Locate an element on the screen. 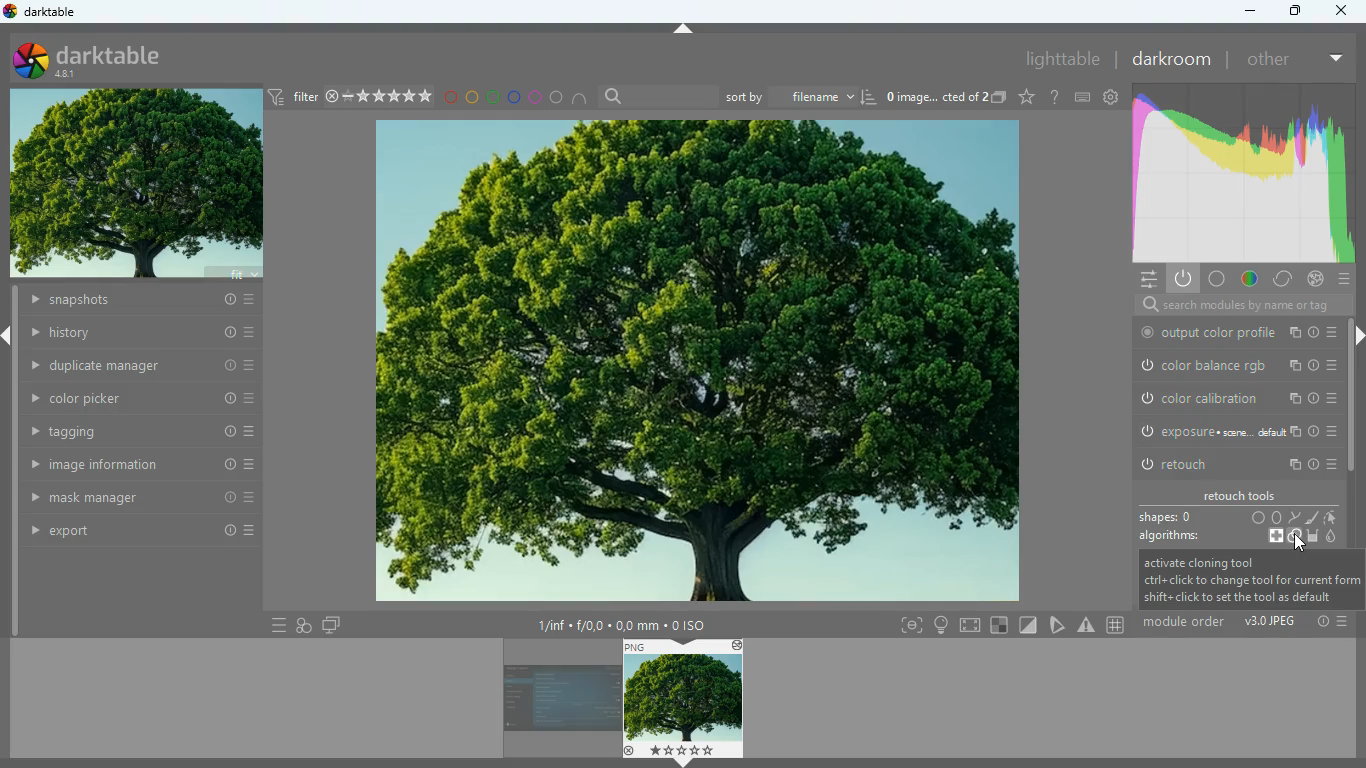 The image size is (1366, 768). retouch tools is located at coordinates (1241, 495).